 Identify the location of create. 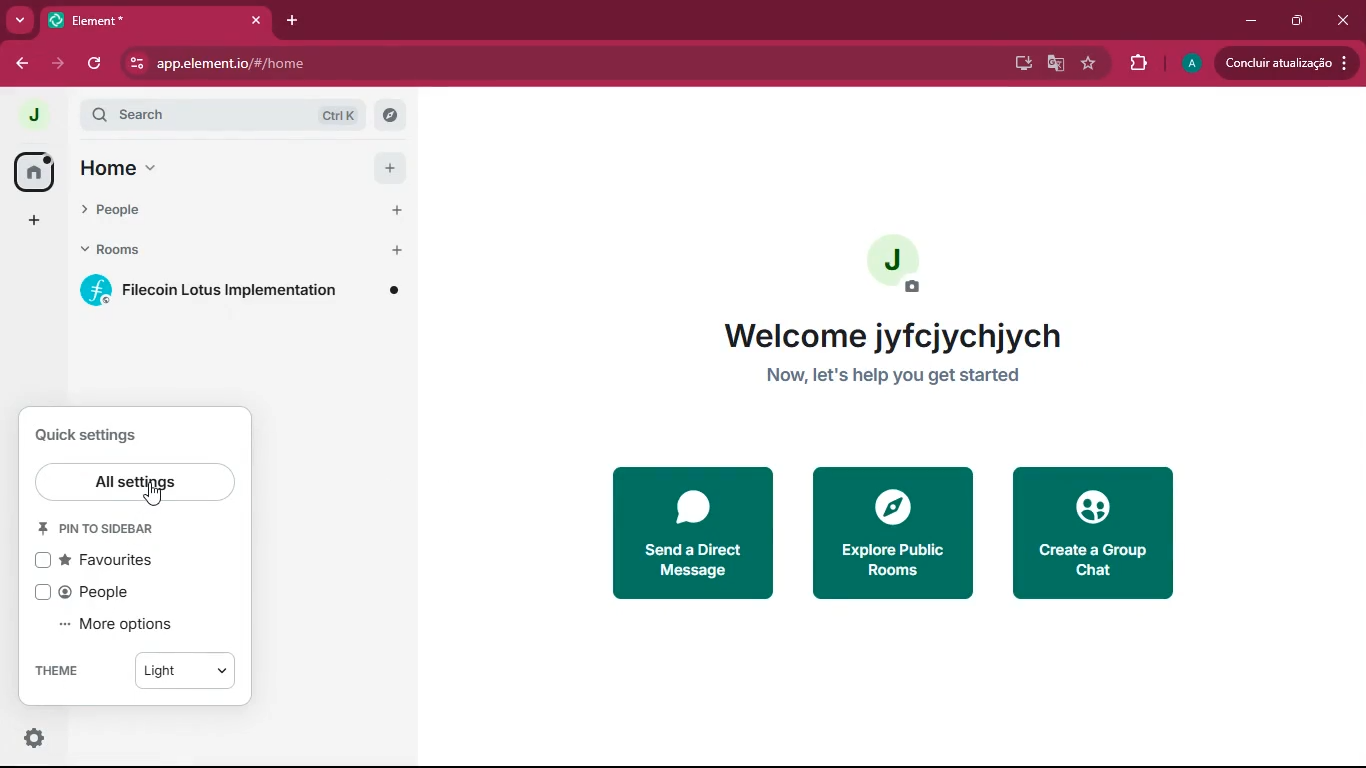
(1098, 536).